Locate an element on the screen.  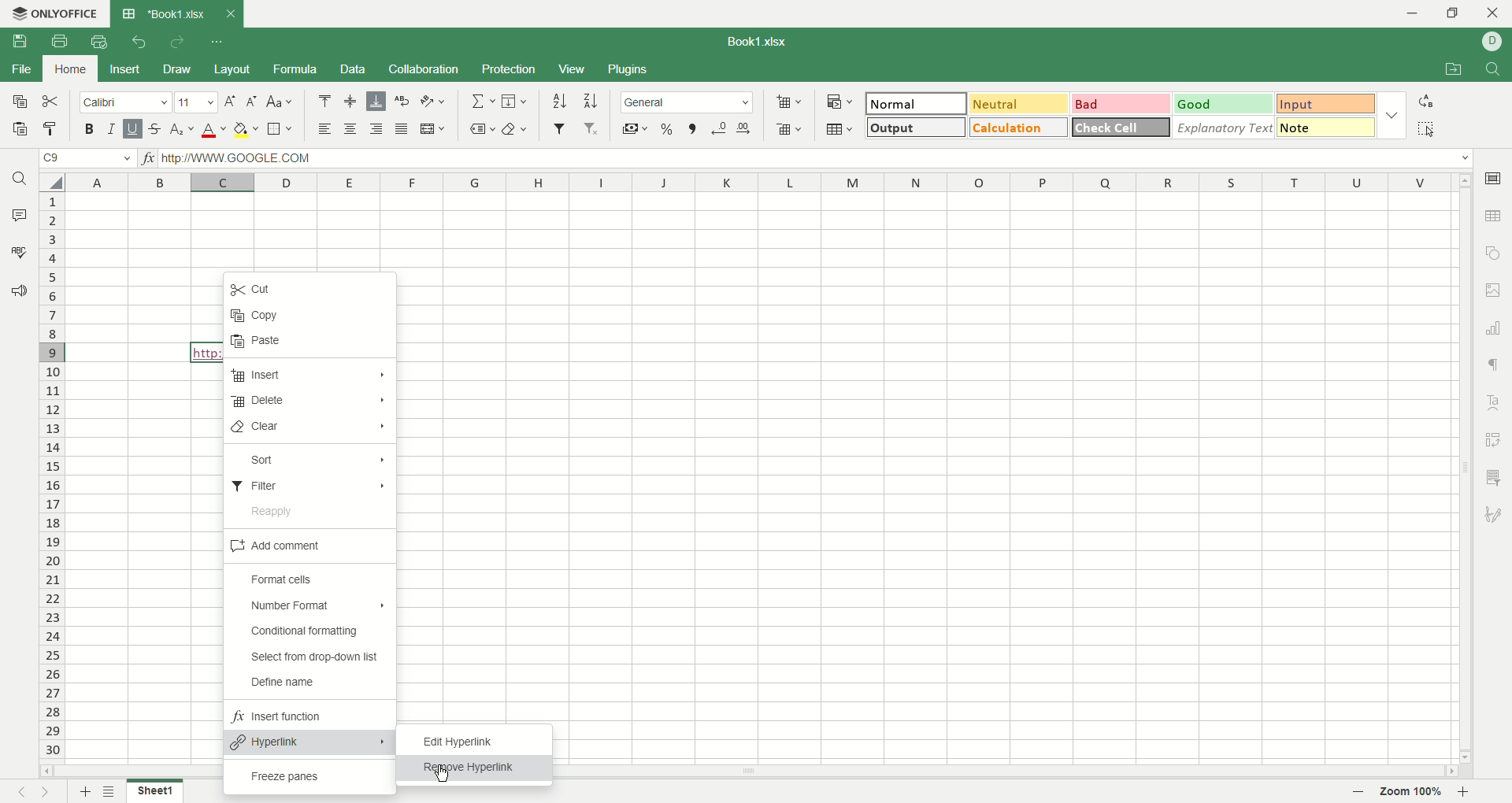
calculation is located at coordinates (1019, 128).